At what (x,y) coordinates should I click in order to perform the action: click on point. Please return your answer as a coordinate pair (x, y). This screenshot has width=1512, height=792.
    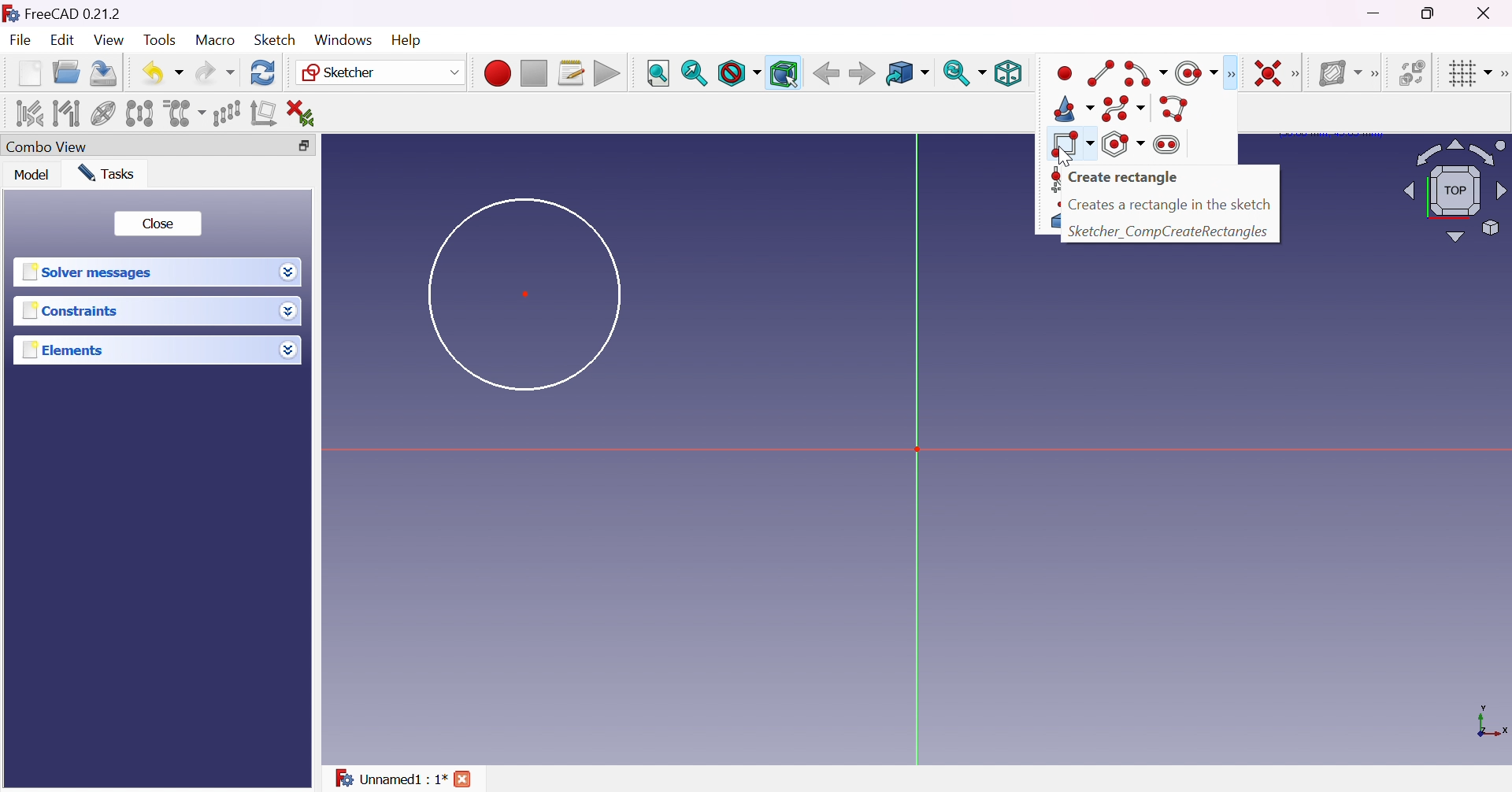
    Looking at the image, I should click on (1065, 72).